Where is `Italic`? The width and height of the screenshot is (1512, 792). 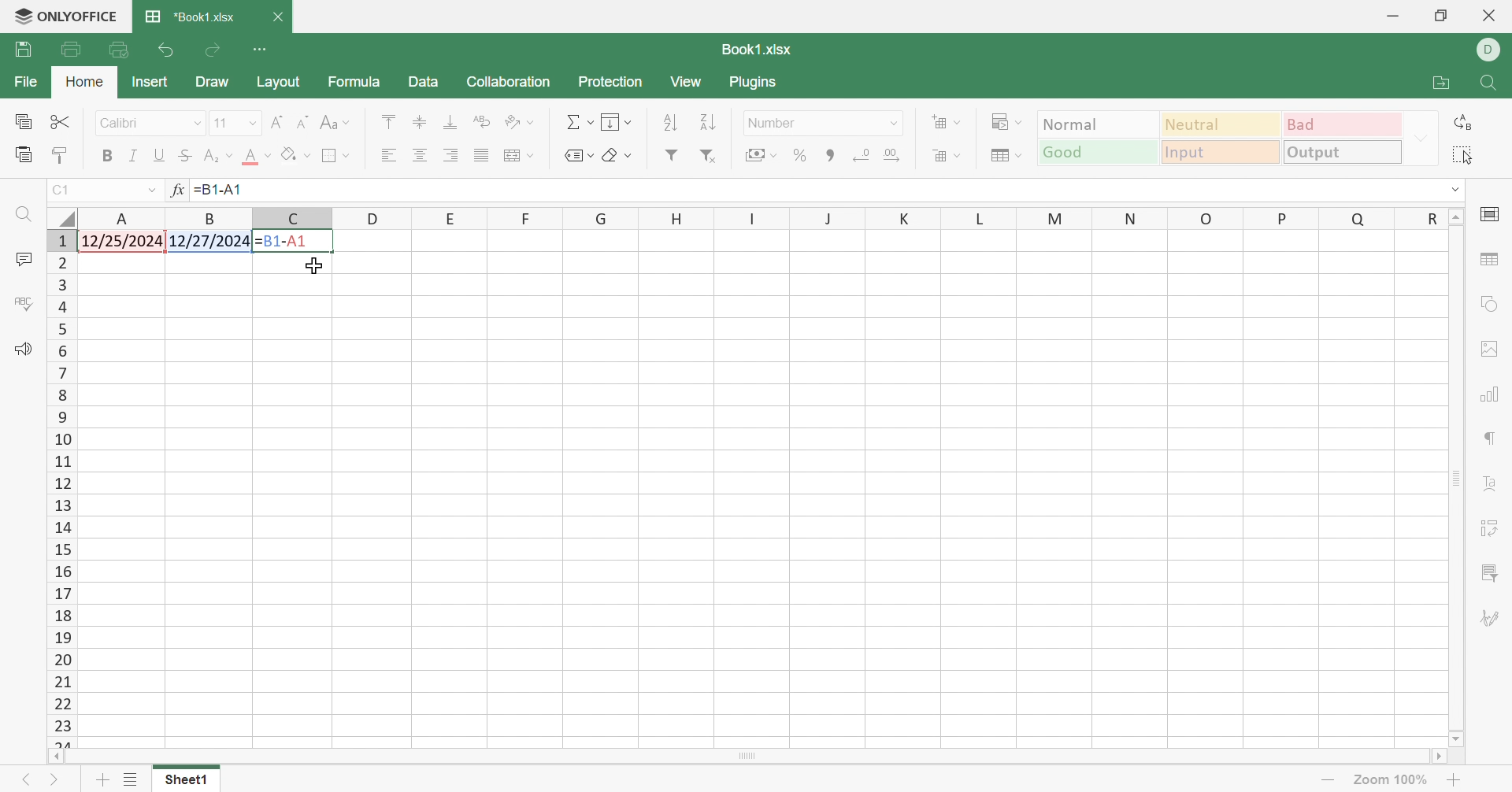 Italic is located at coordinates (134, 155).